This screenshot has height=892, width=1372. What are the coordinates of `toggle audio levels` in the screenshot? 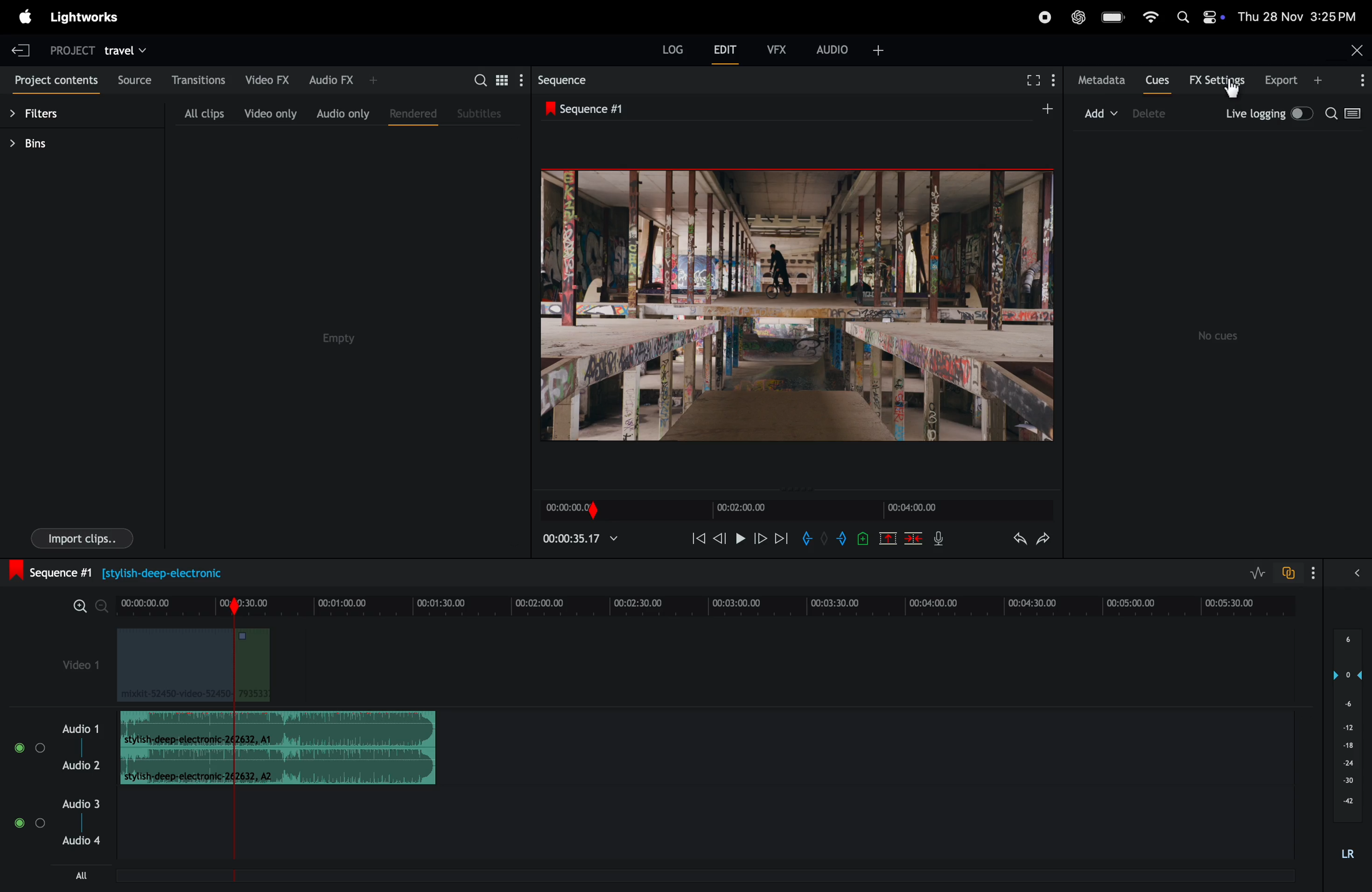 It's located at (1255, 571).